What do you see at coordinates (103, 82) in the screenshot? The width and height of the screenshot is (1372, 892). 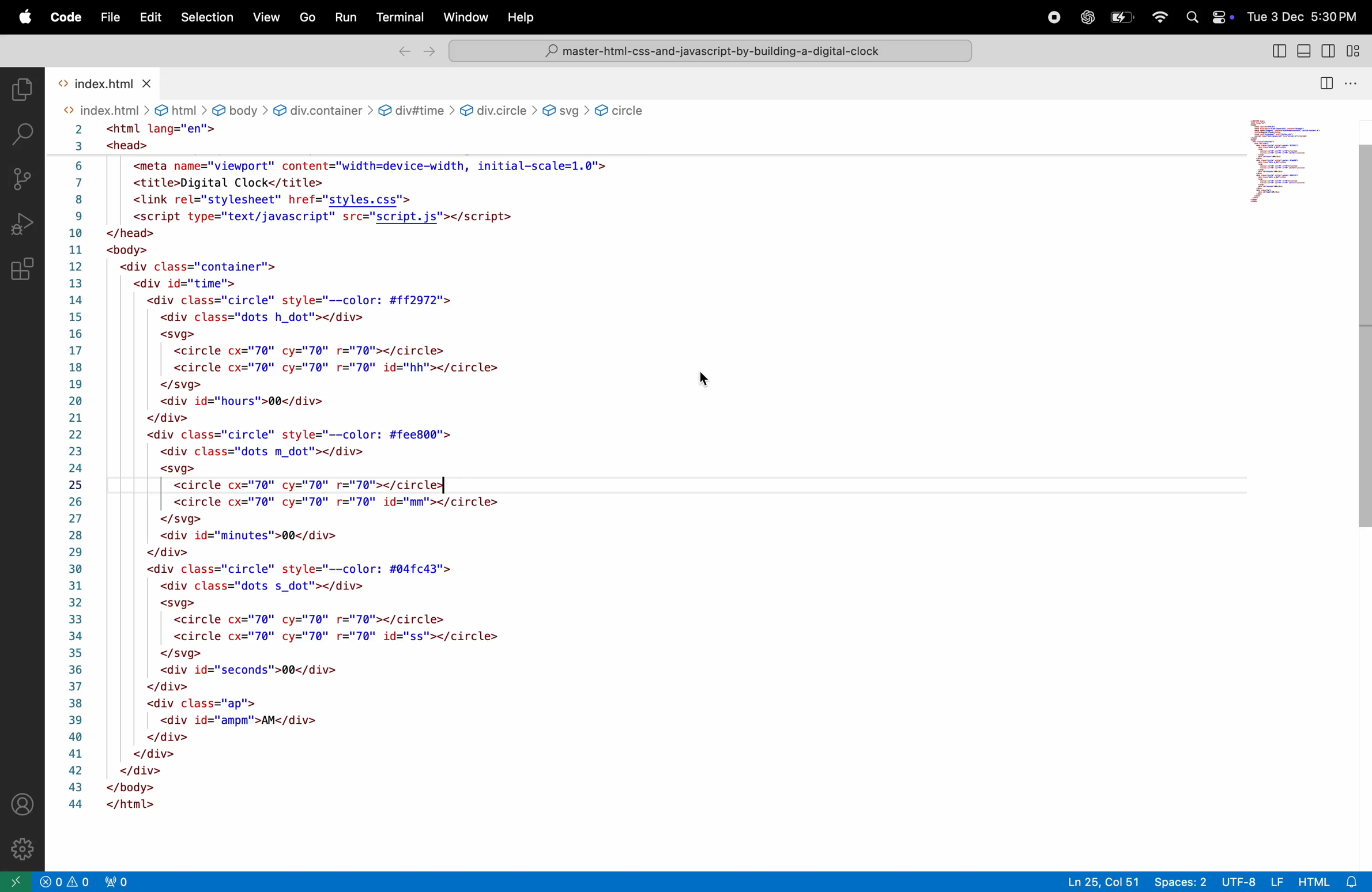 I see `index.html` at bounding box center [103, 82].